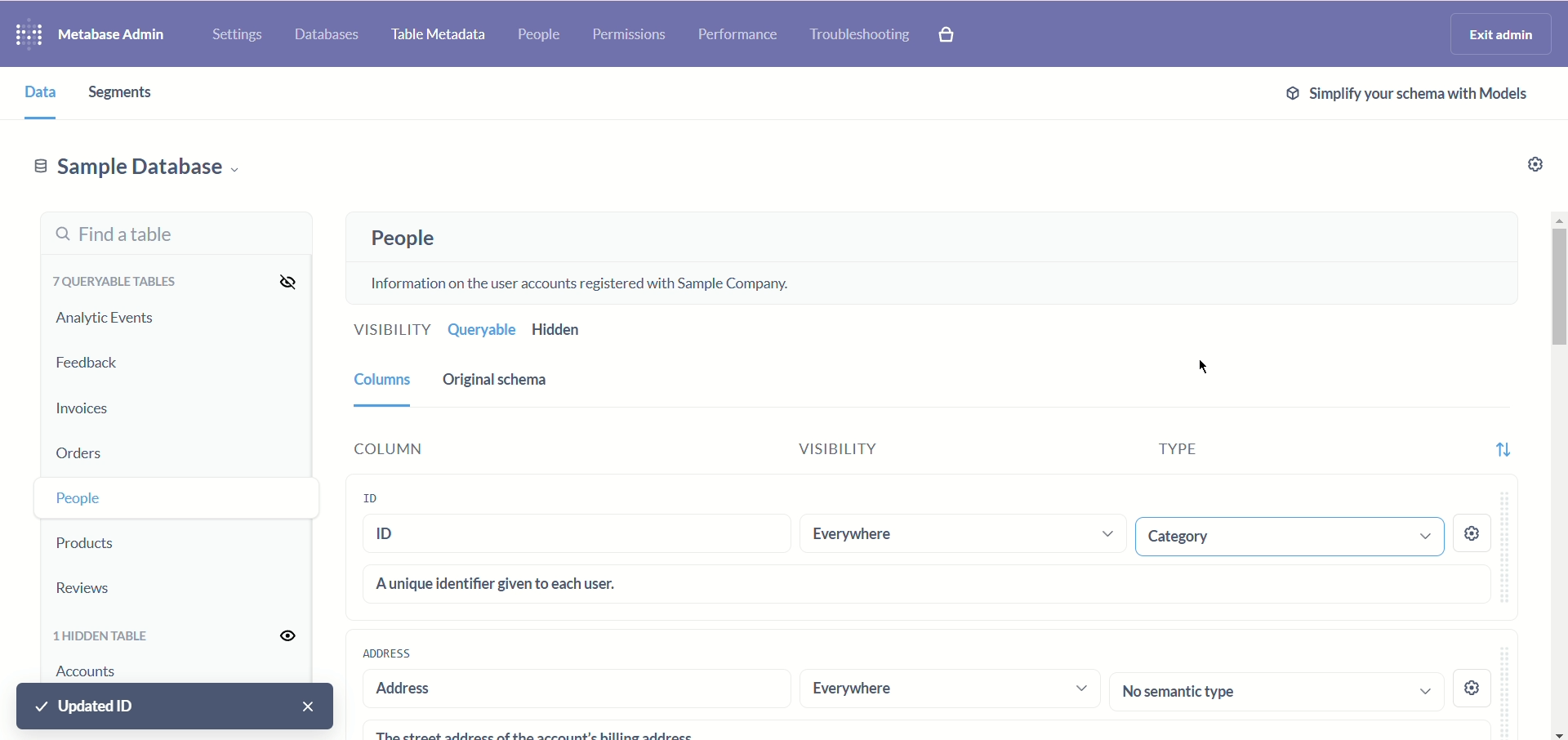 The width and height of the screenshot is (1568, 740). Describe the element at coordinates (117, 540) in the screenshot. I see `Products` at that location.